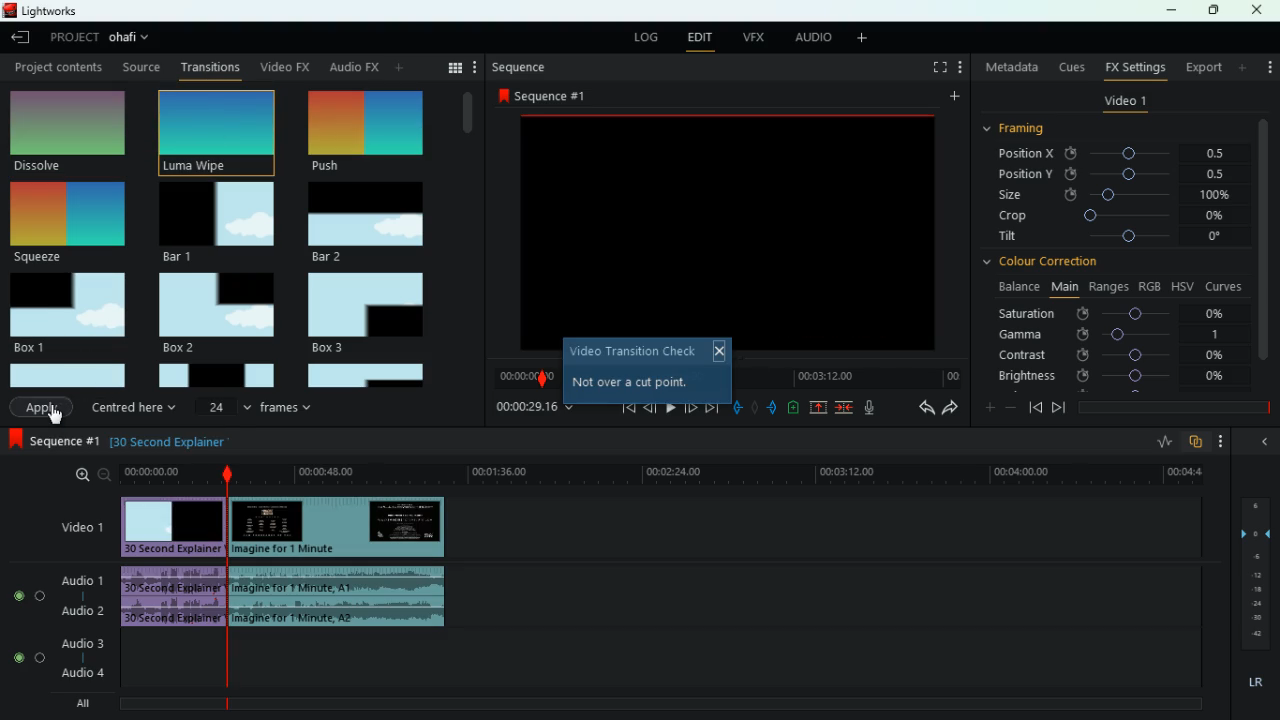  I want to click on video fx, so click(282, 68).